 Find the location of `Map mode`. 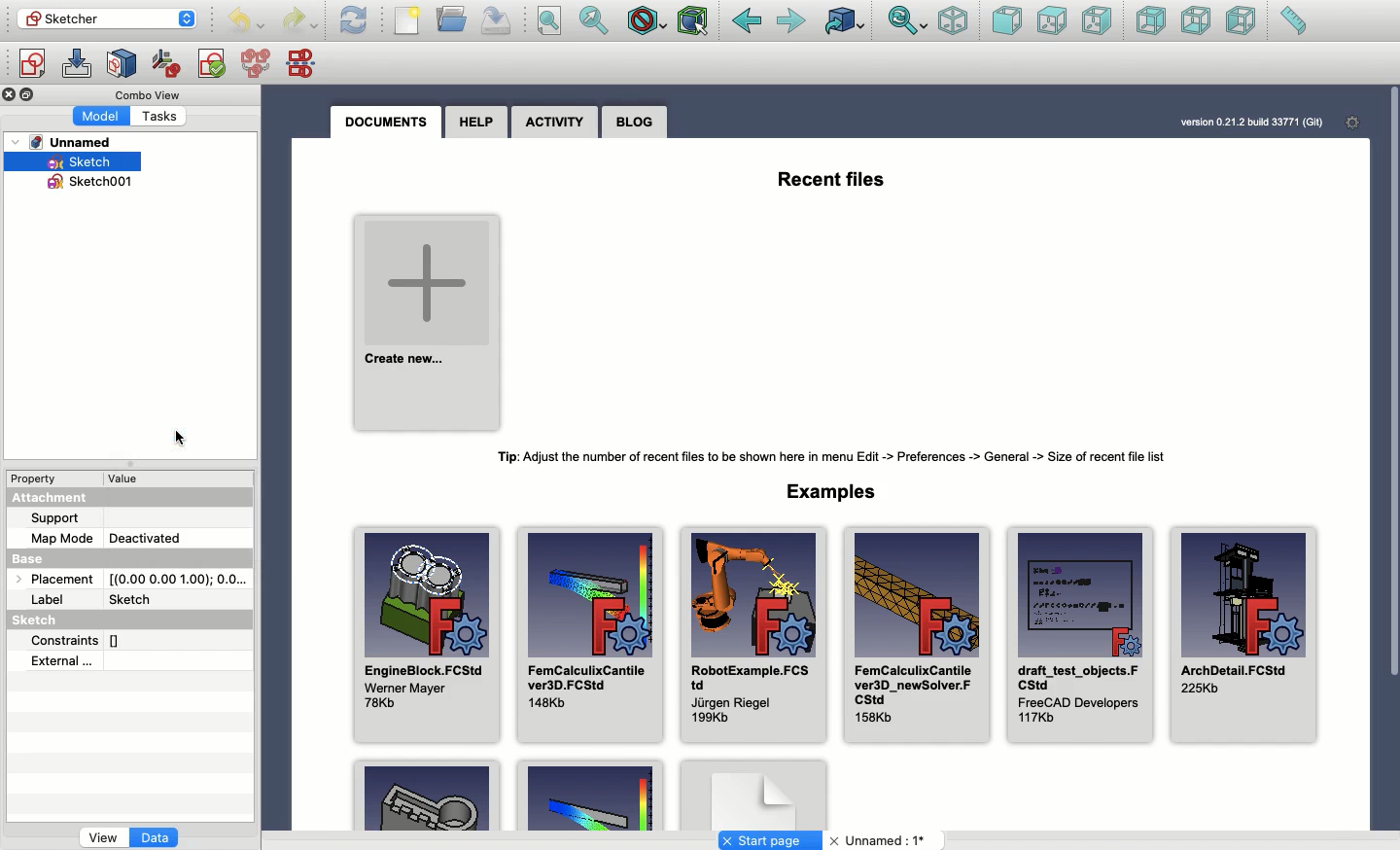

Map mode is located at coordinates (62, 536).